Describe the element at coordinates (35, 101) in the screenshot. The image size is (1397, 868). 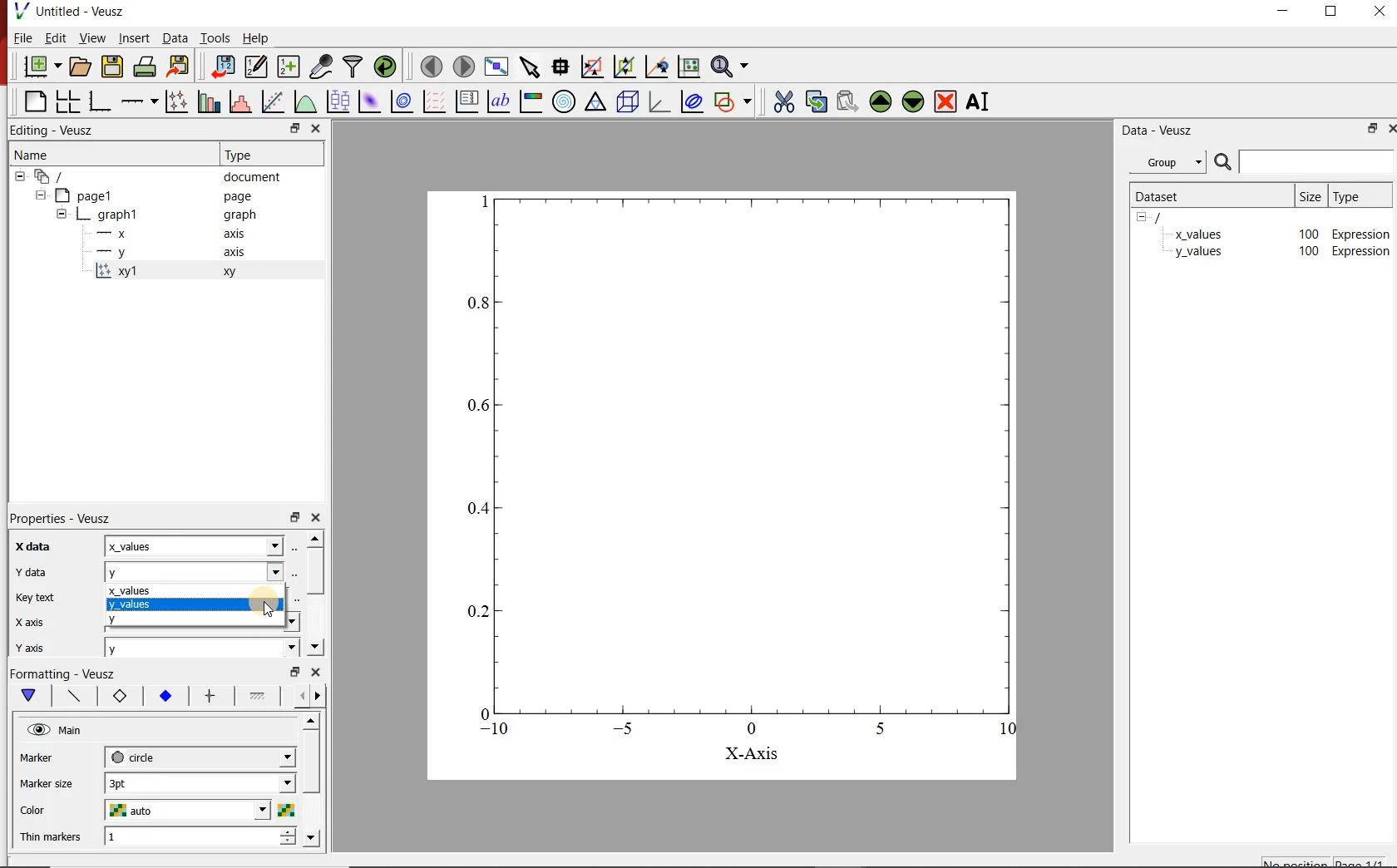
I see `blank page` at that location.